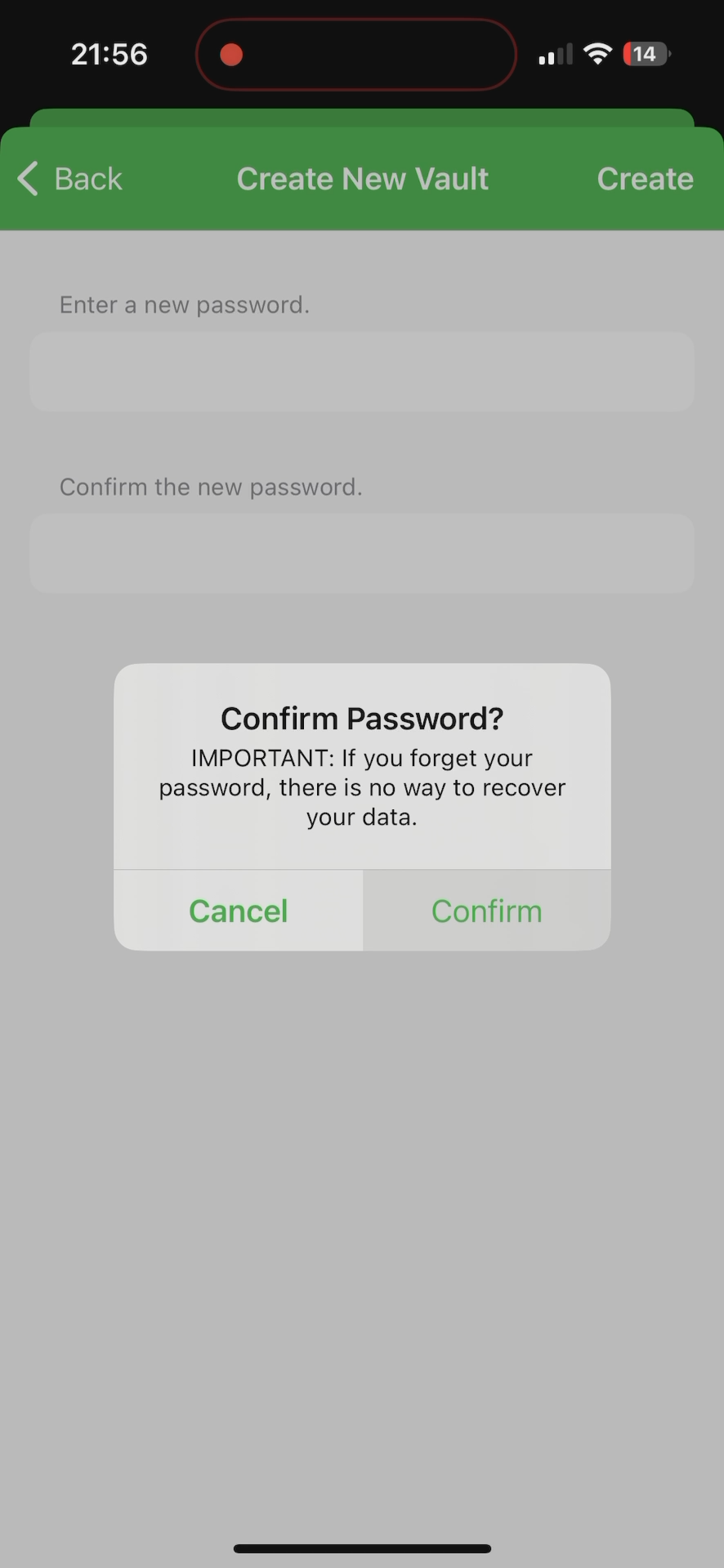 The width and height of the screenshot is (724, 1568). What do you see at coordinates (231, 51) in the screenshot?
I see `recording the screen` at bounding box center [231, 51].